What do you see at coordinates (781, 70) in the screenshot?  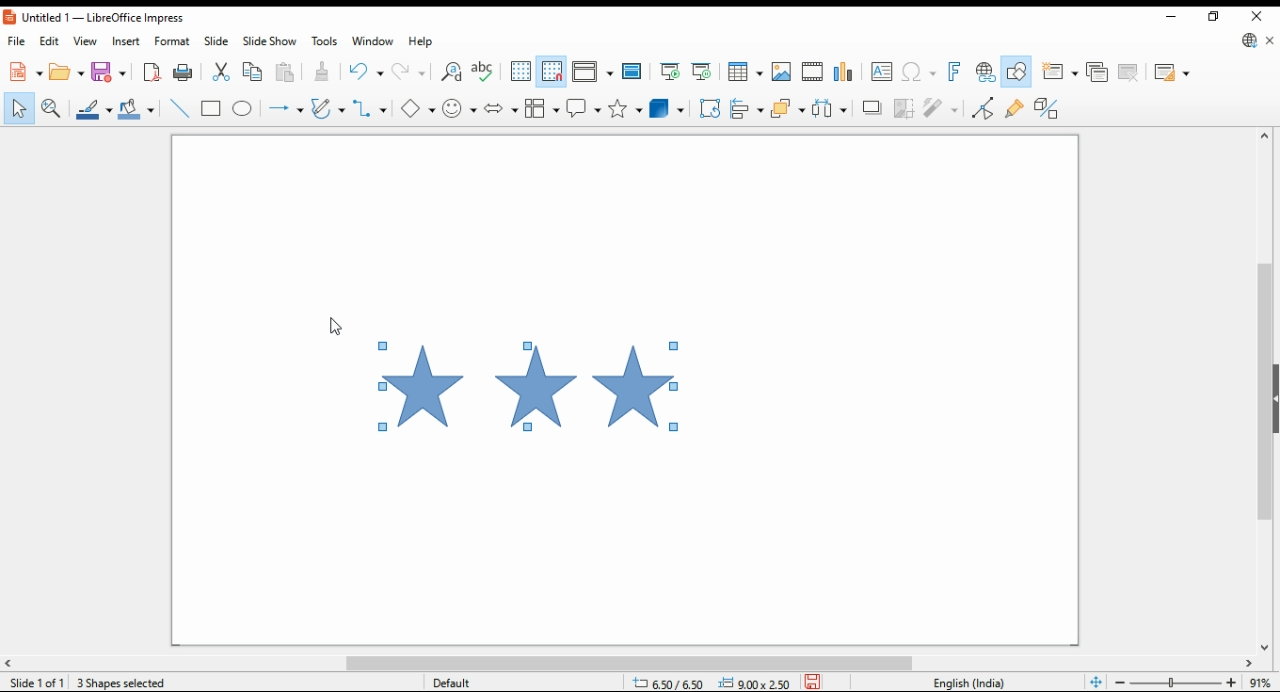 I see `insert image` at bounding box center [781, 70].